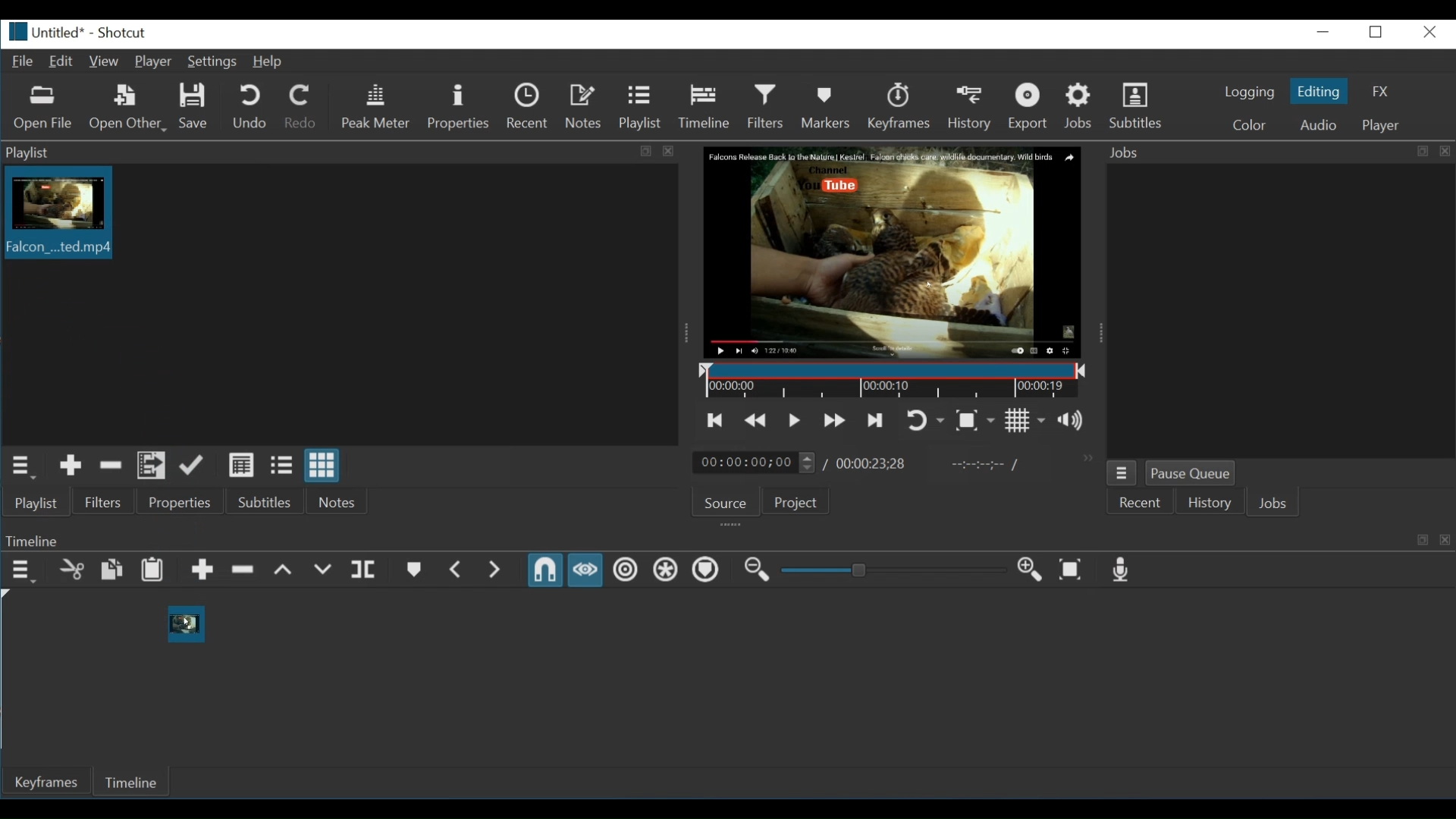 The height and width of the screenshot is (819, 1456). Describe the element at coordinates (724, 540) in the screenshot. I see `Keyframe Panel` at that location.